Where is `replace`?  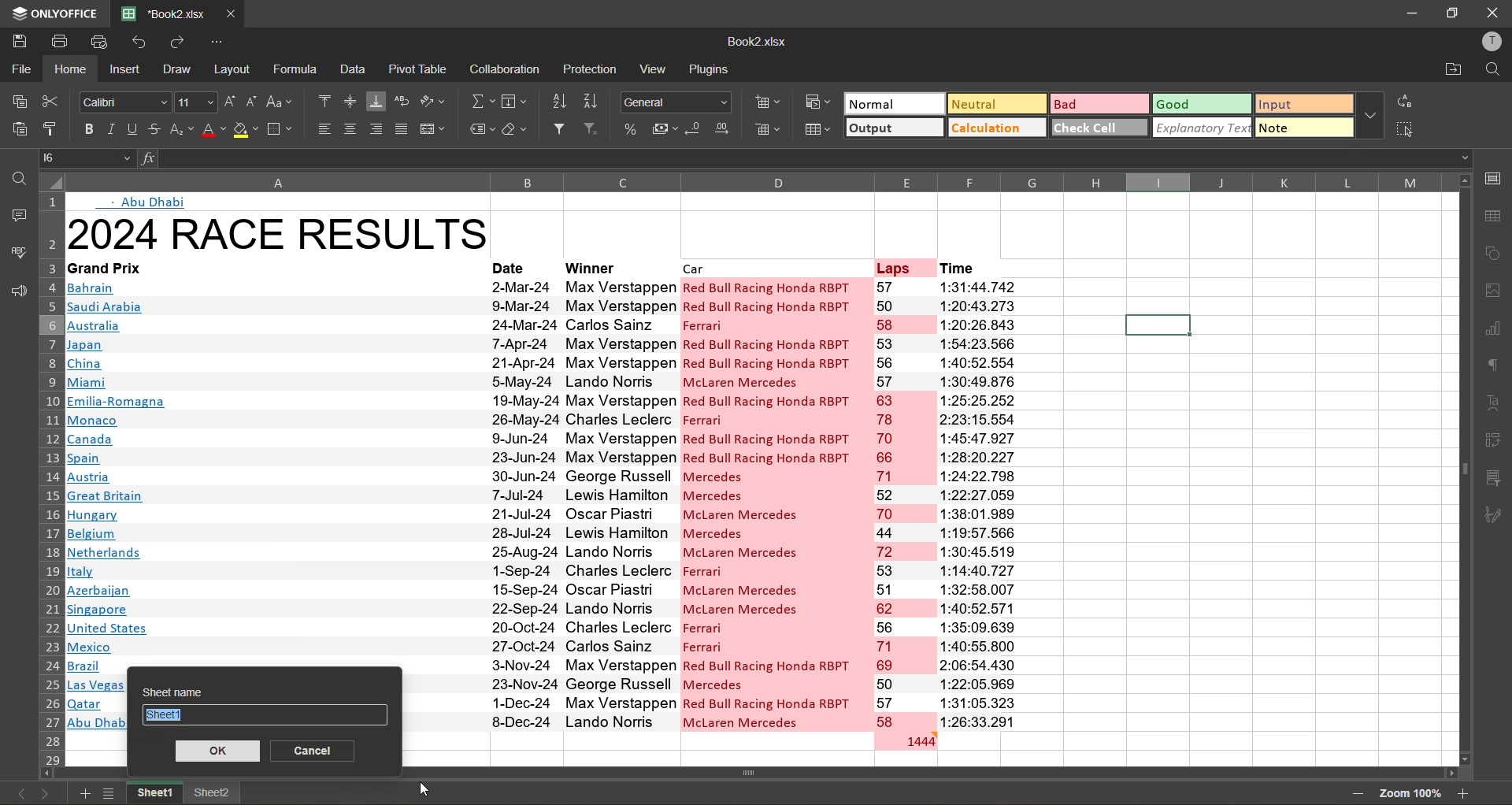 replace is located at coordinates (1403, 100).